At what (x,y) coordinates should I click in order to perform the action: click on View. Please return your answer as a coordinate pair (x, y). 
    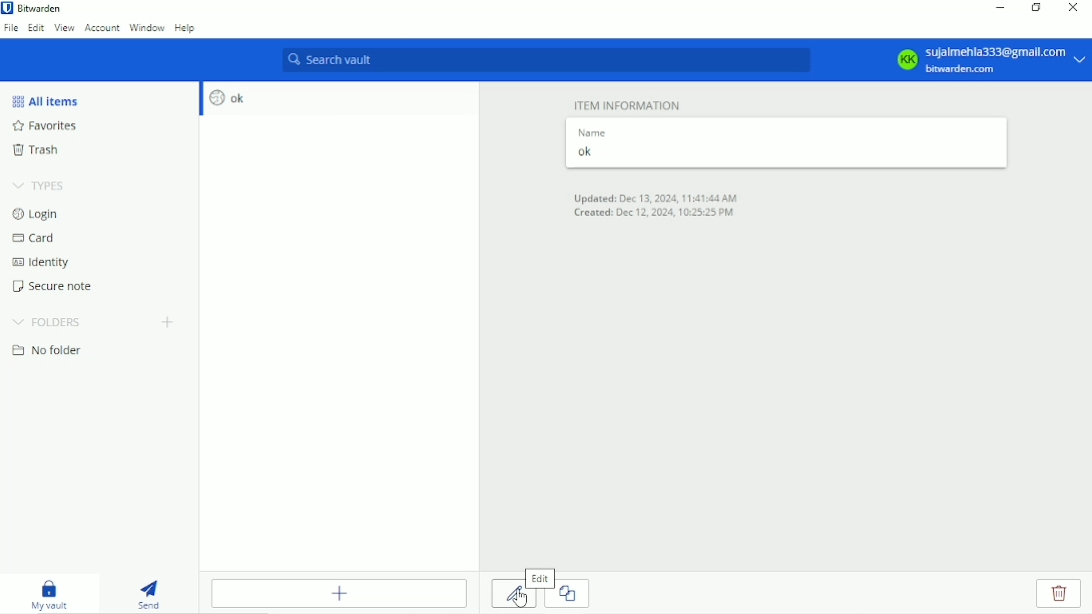
    Looking at the image, I should click on (63, 29).